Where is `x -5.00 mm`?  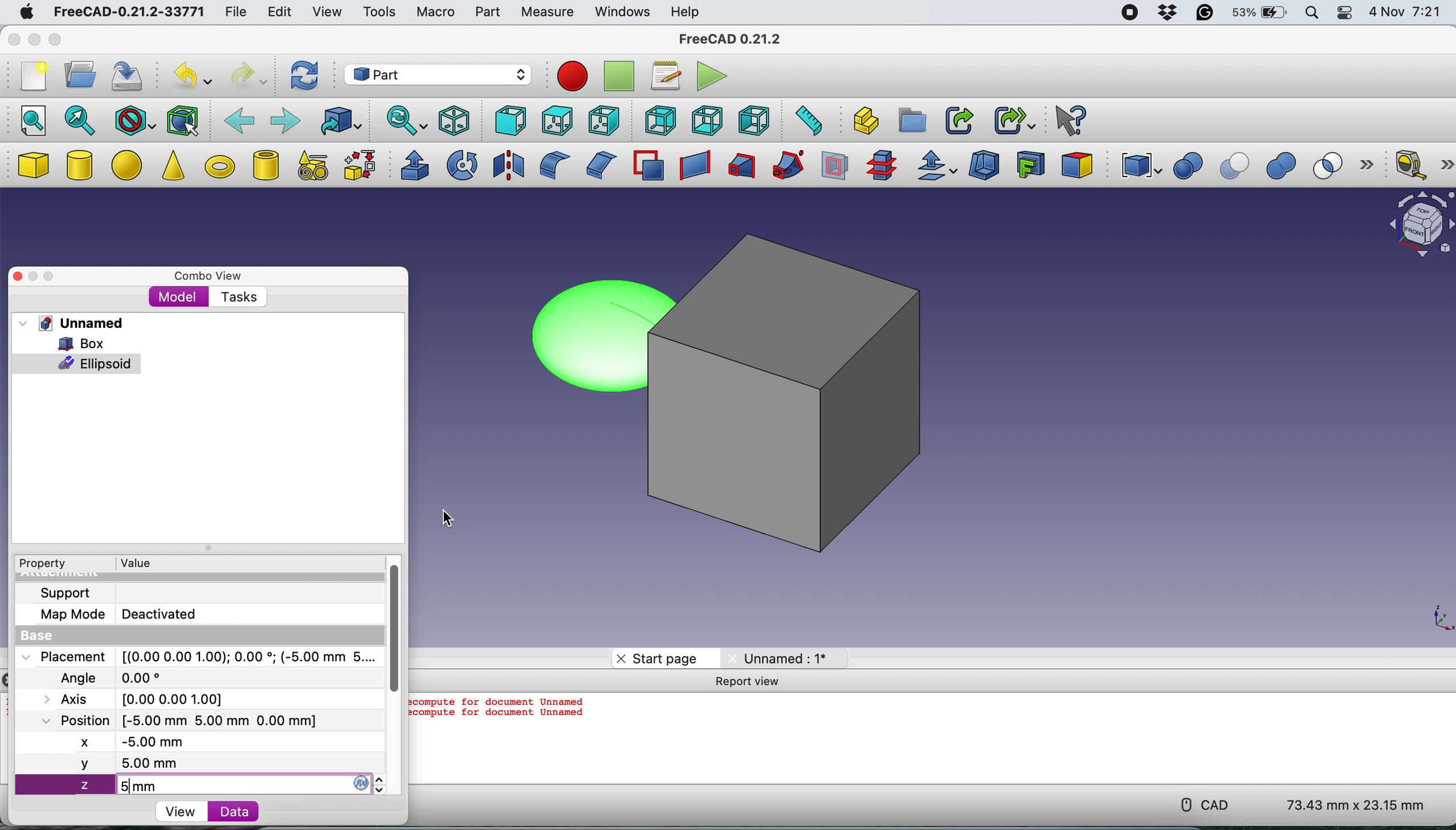 x -5.00 mm is located at coordinates (136, 743).